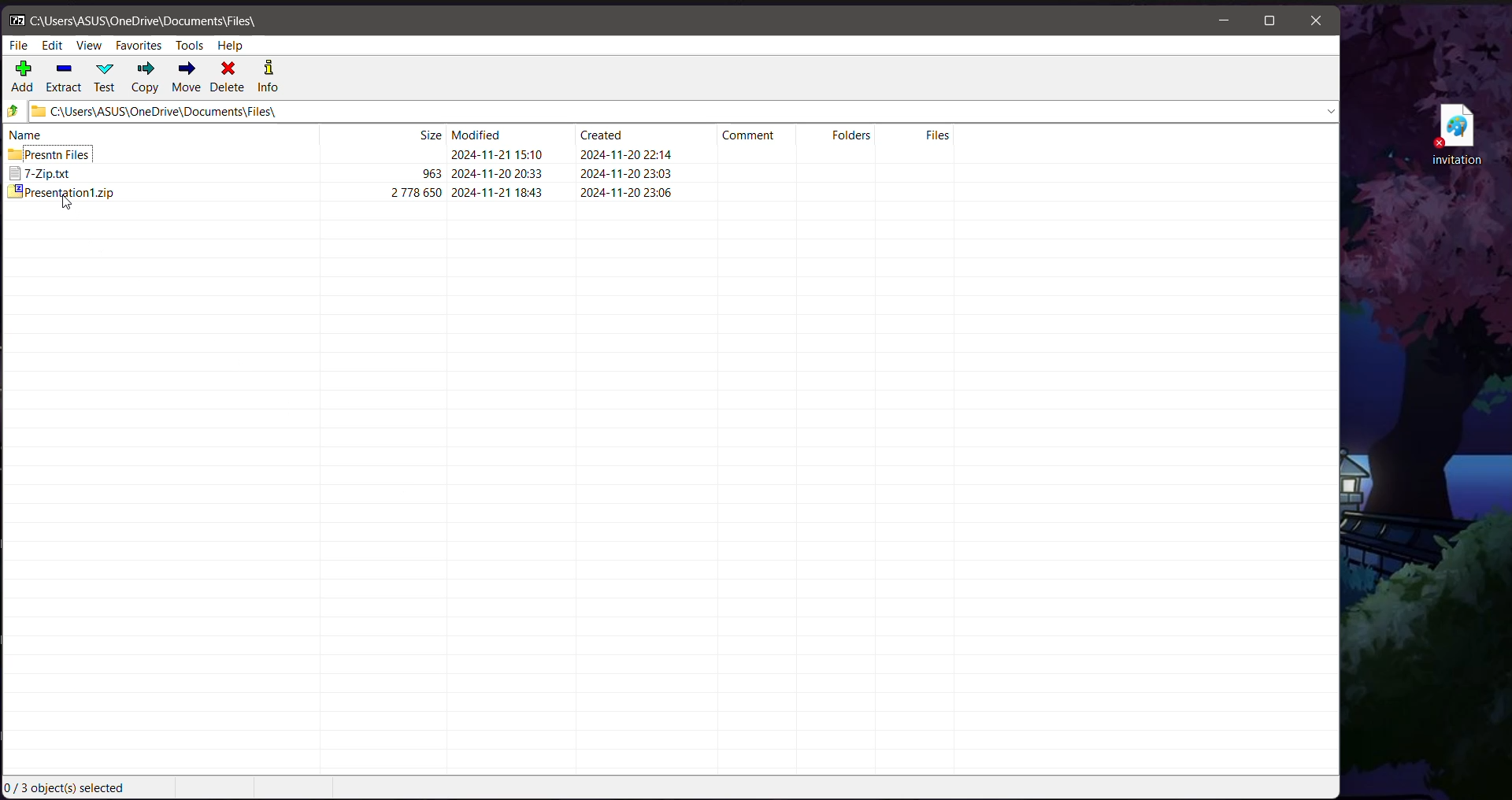  Describe the element at coordinates (189, 46) in the screenshot. I see `Tools` at that location.